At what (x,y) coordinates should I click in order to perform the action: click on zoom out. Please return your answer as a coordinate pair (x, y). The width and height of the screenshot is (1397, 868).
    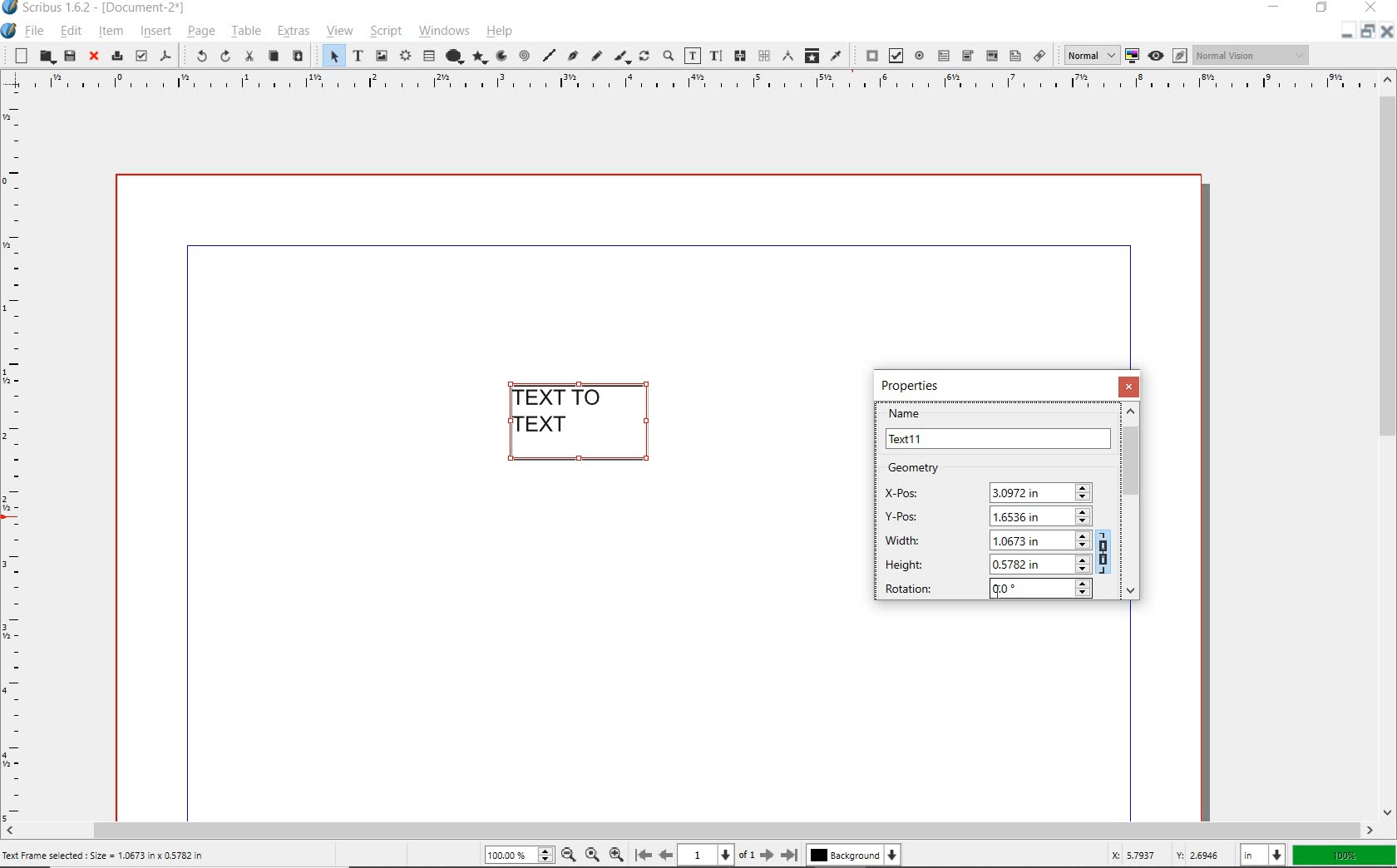
    Looking at the image, I should click on (573, 854).